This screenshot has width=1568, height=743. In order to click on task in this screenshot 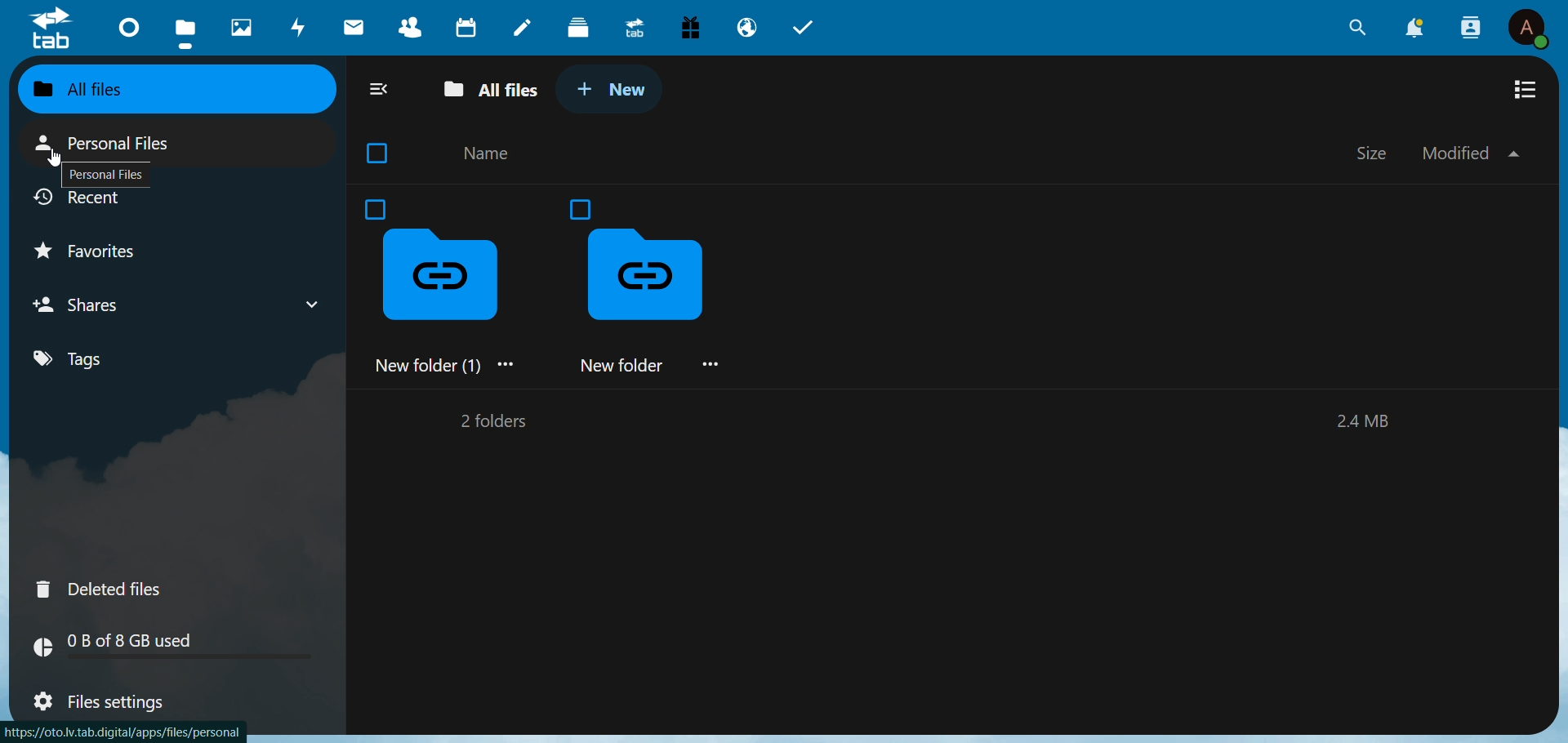, I will do `click(809, 29)`.